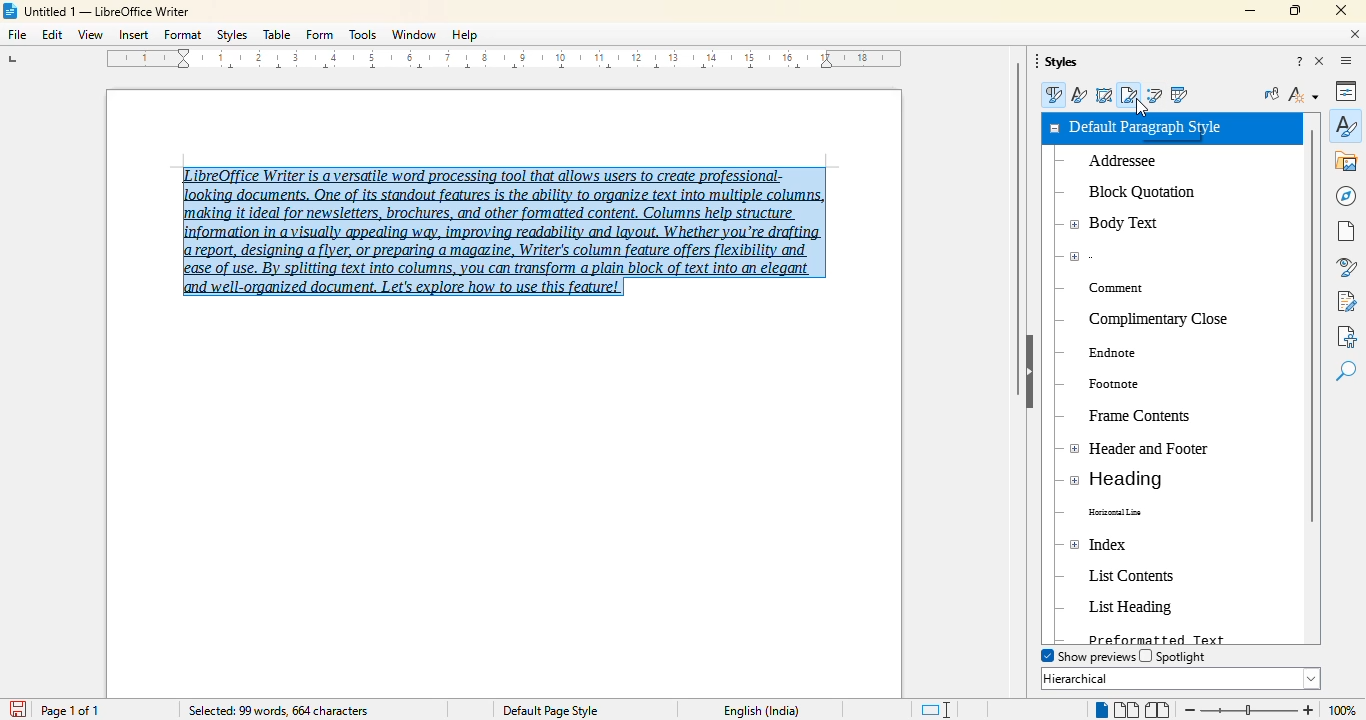 This screenshot has width=1366, height=720. What do you see at coordinates (16, 34) in the screenshot?
I see `file` at bounding box center [16, 34].